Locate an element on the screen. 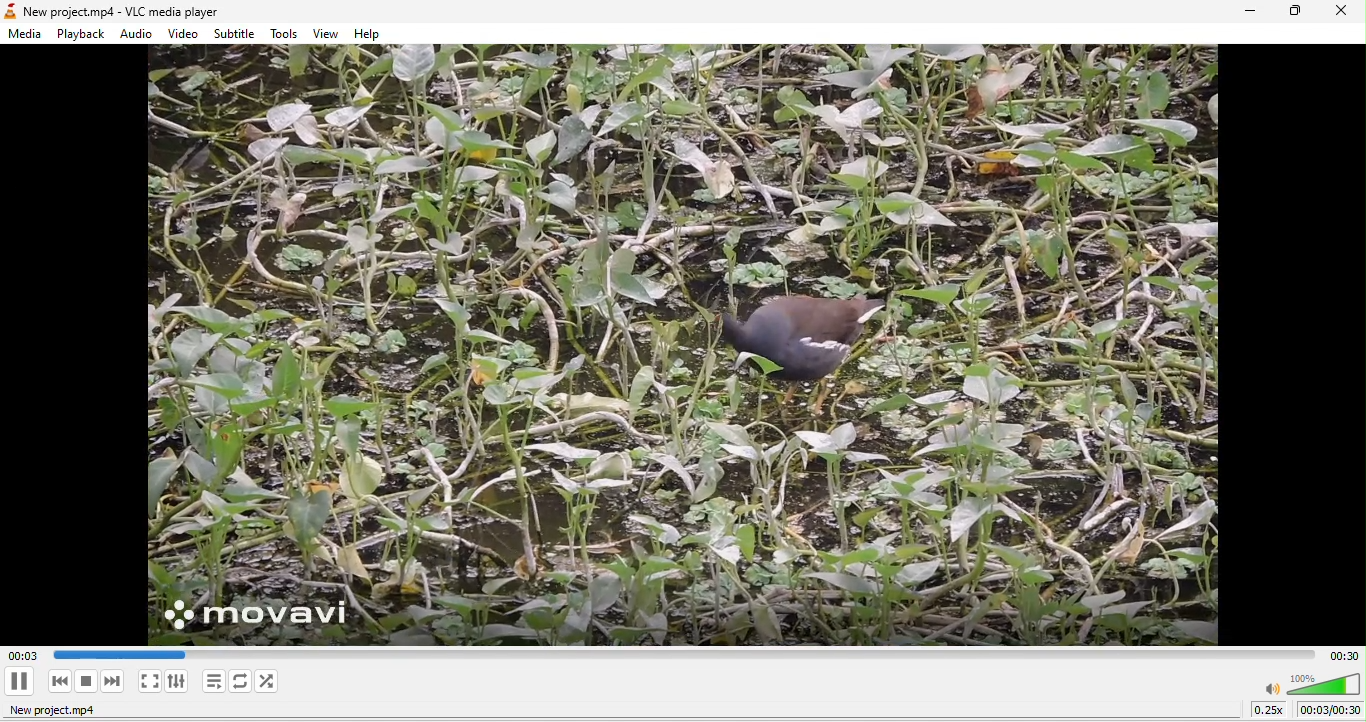 Image resolution: width=1366 pixels, height=722 pixels. Play duration is located at coordinates (679, 657).